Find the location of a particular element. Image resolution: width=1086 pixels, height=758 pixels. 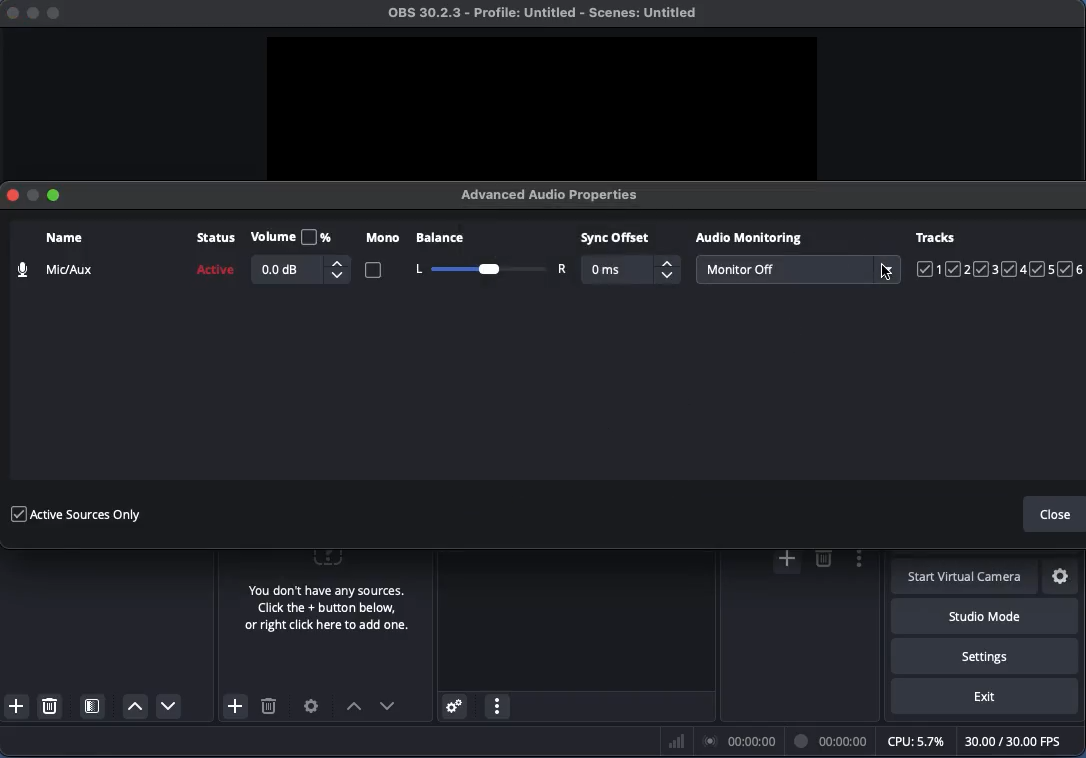

maximize is located at coordinates (61, 12).